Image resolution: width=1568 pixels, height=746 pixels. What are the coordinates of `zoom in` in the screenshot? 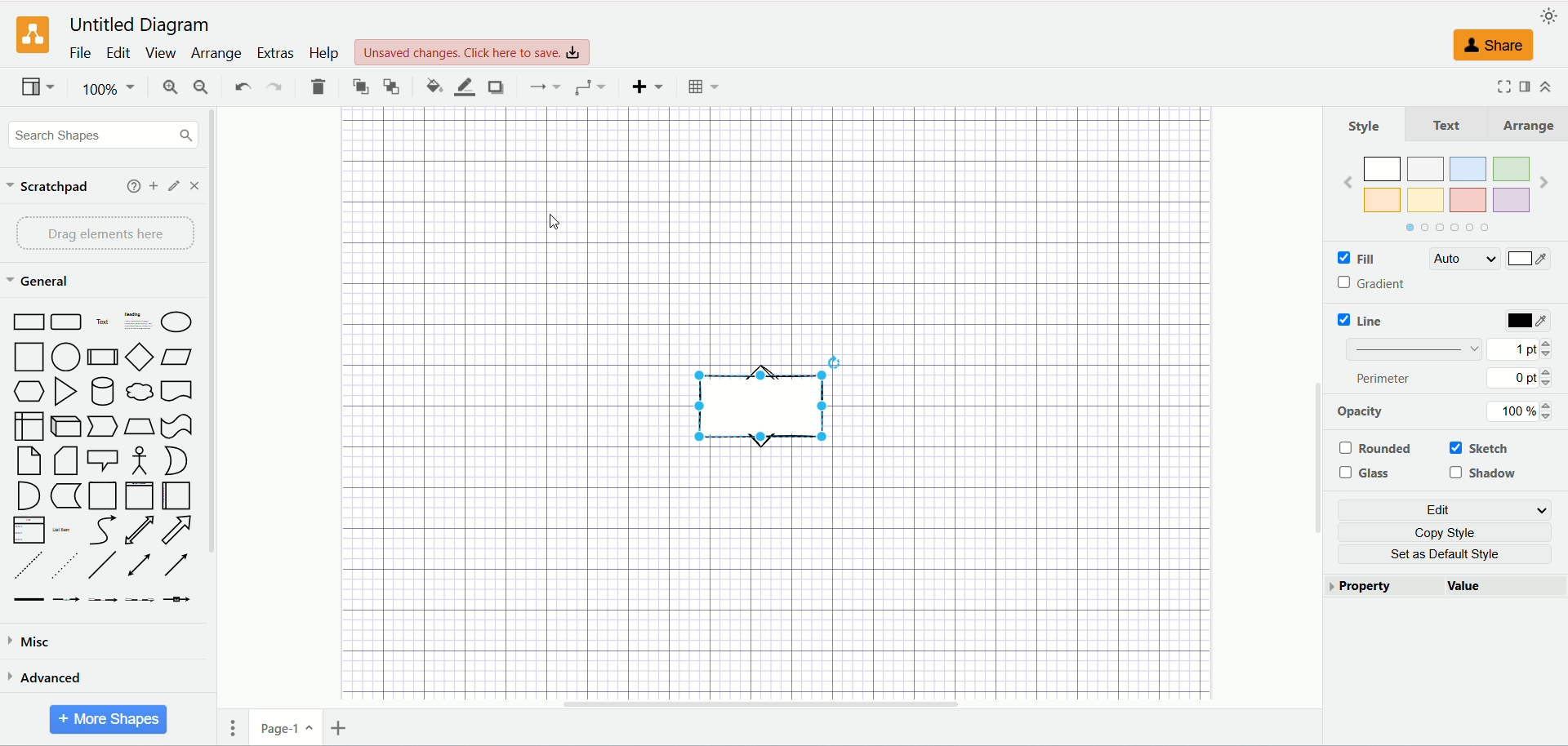 It's located at (167, 86).